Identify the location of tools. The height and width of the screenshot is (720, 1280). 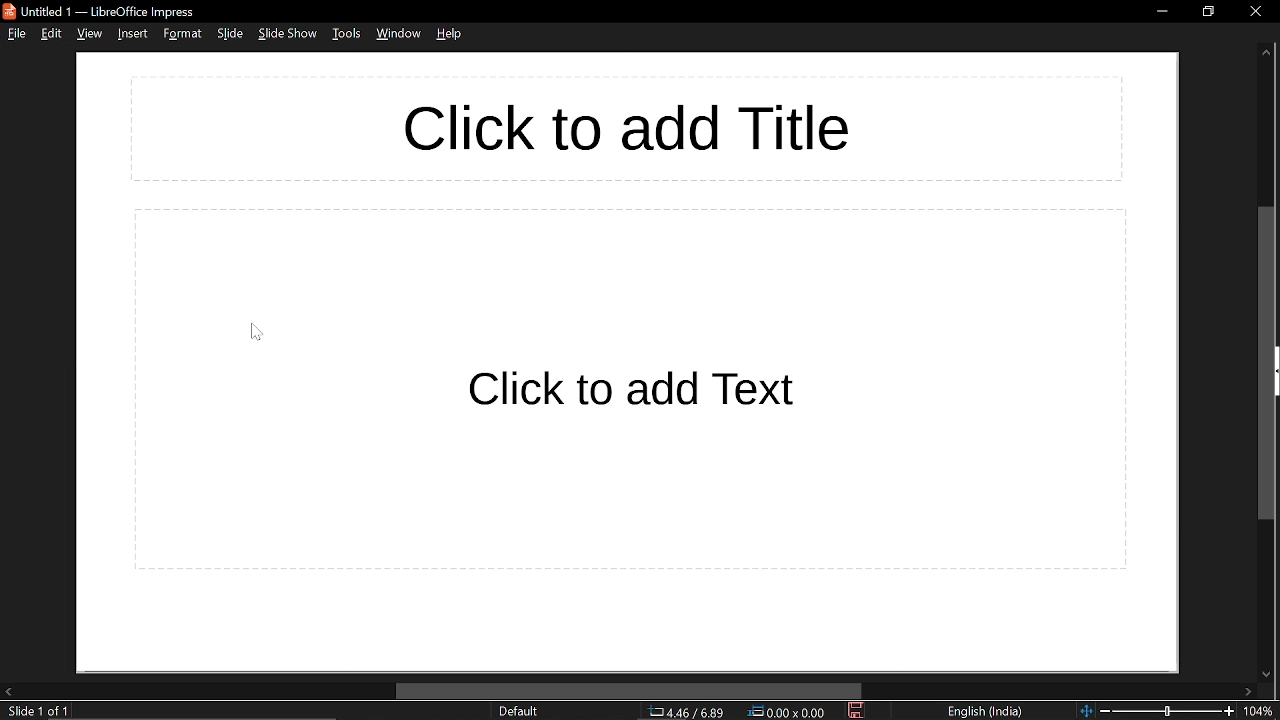
(348, 34).